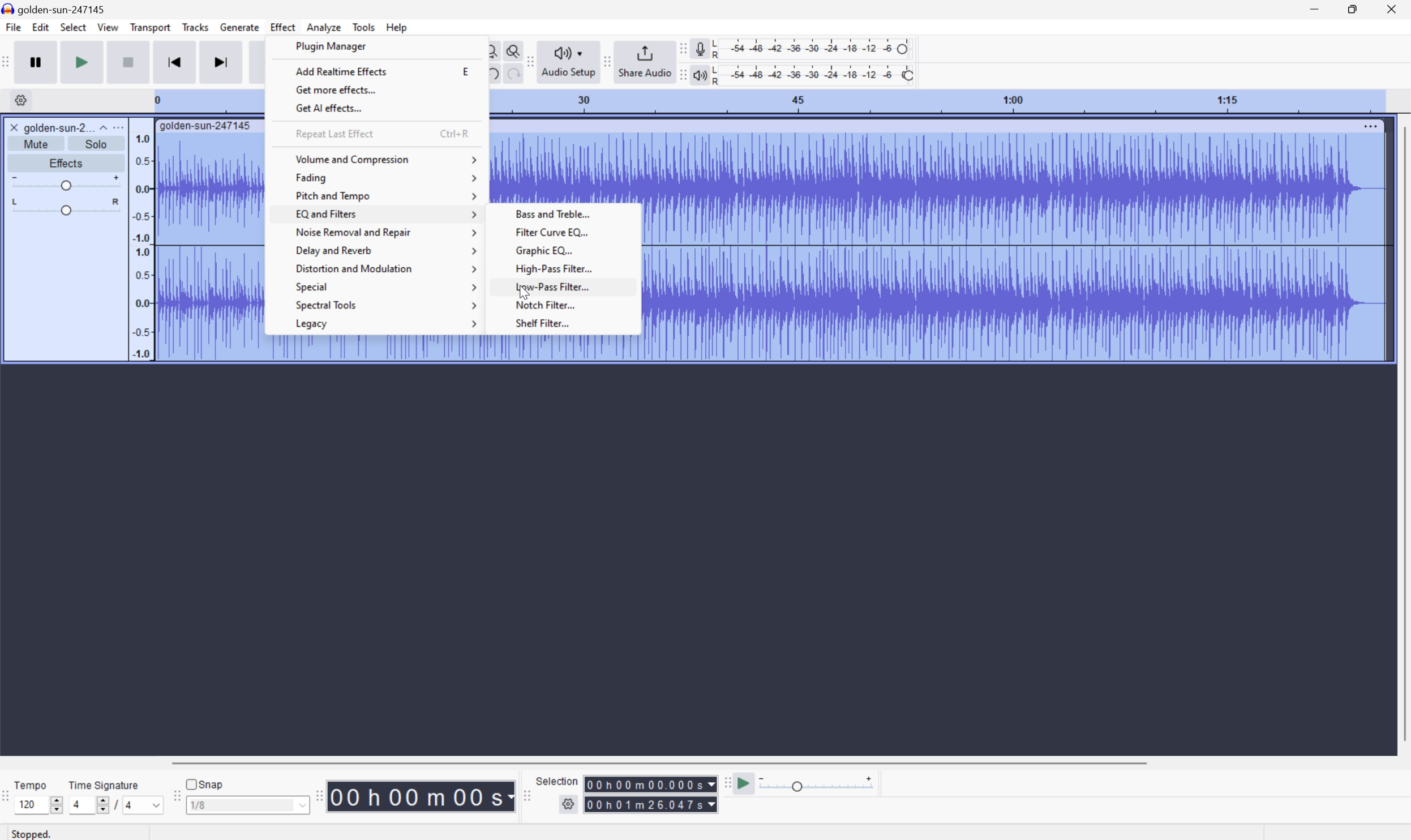 Image resolution: width=1411 pixels, height=840 pixels. I want to click on golden-sun-2..., so click(65, 127).